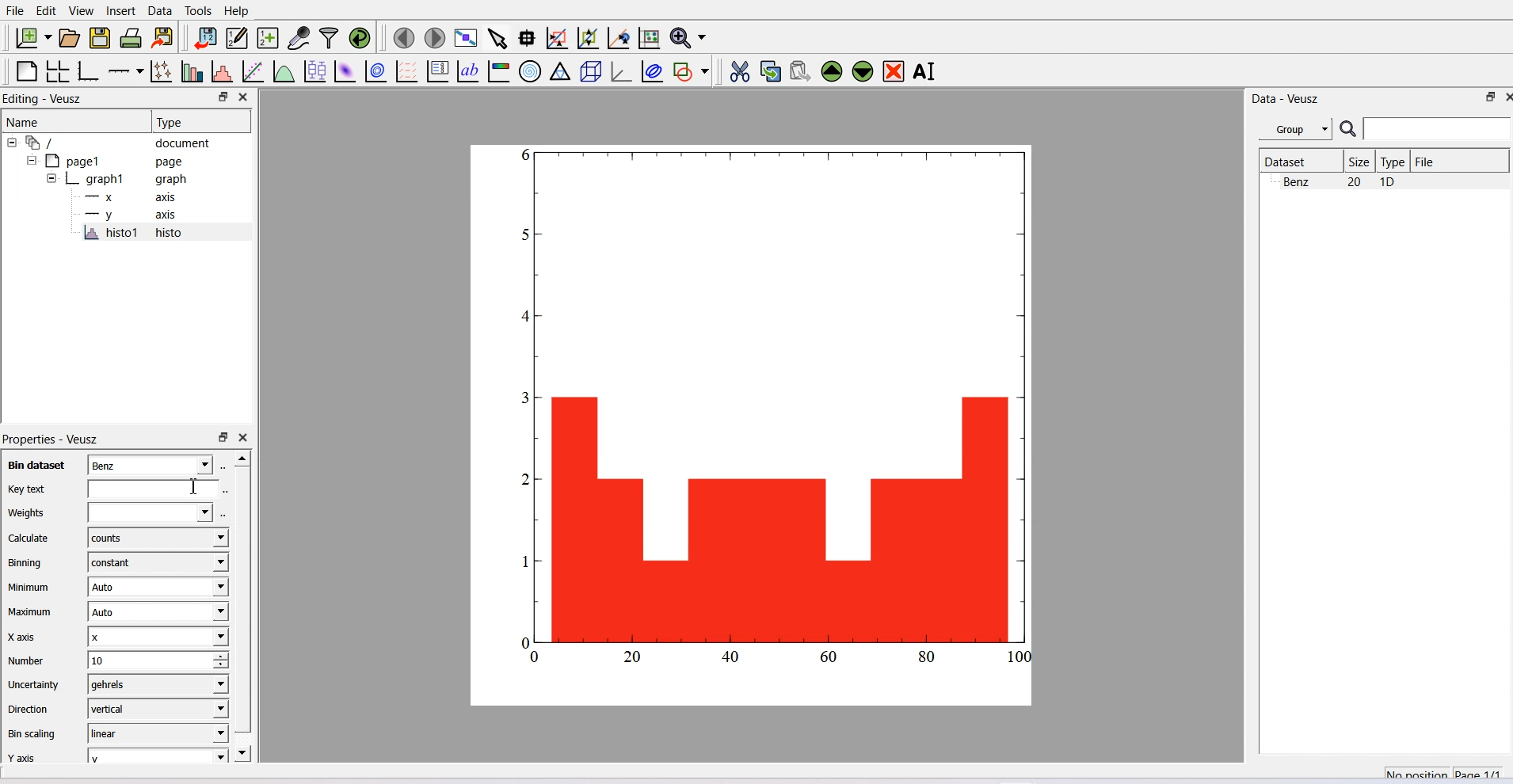  Describe the element at coordinates (1299, 161) in the screenshot. I see `Dataset` at that location.